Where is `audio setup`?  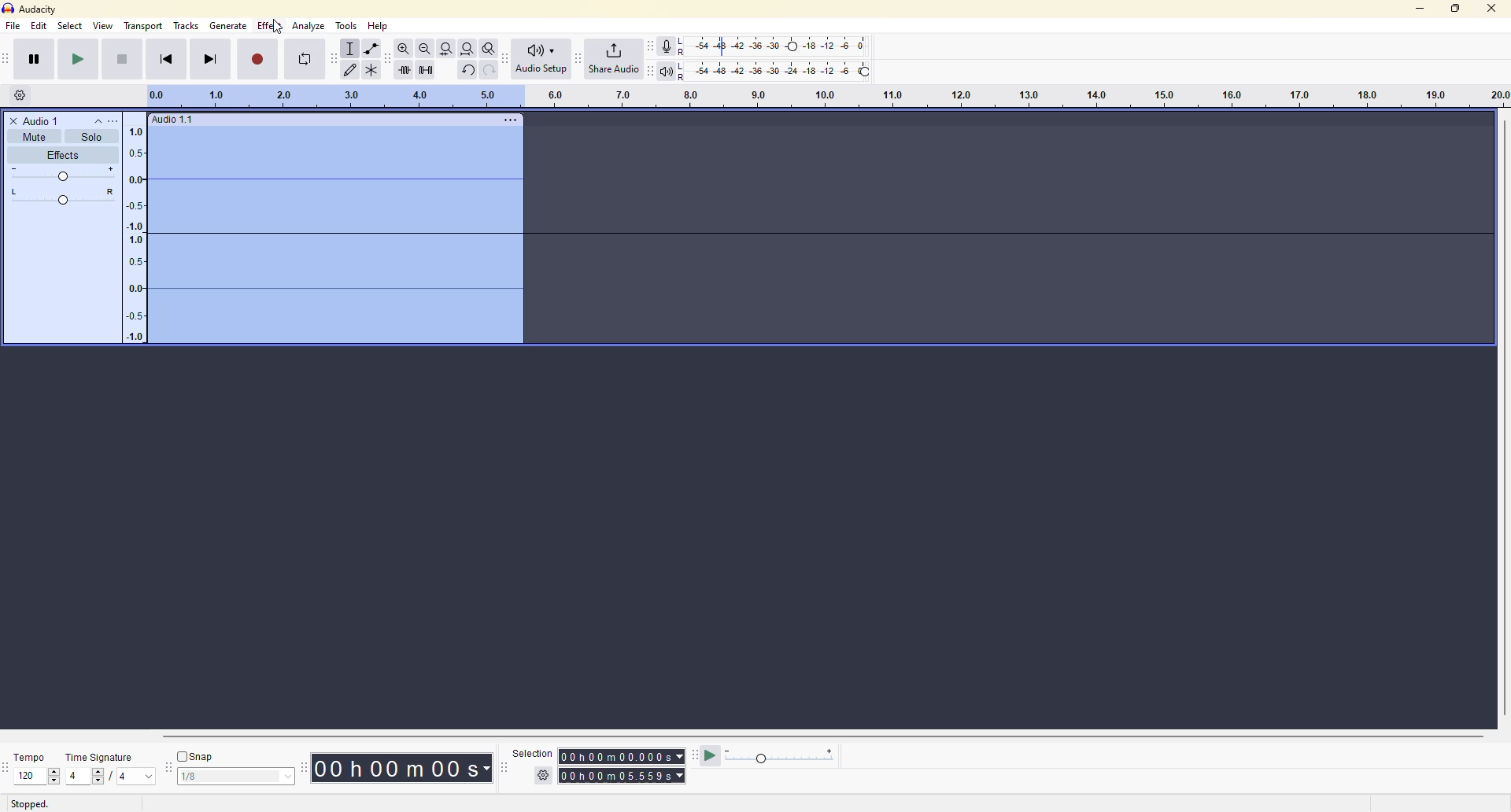 audio setup is located at coordinates (541, 58).